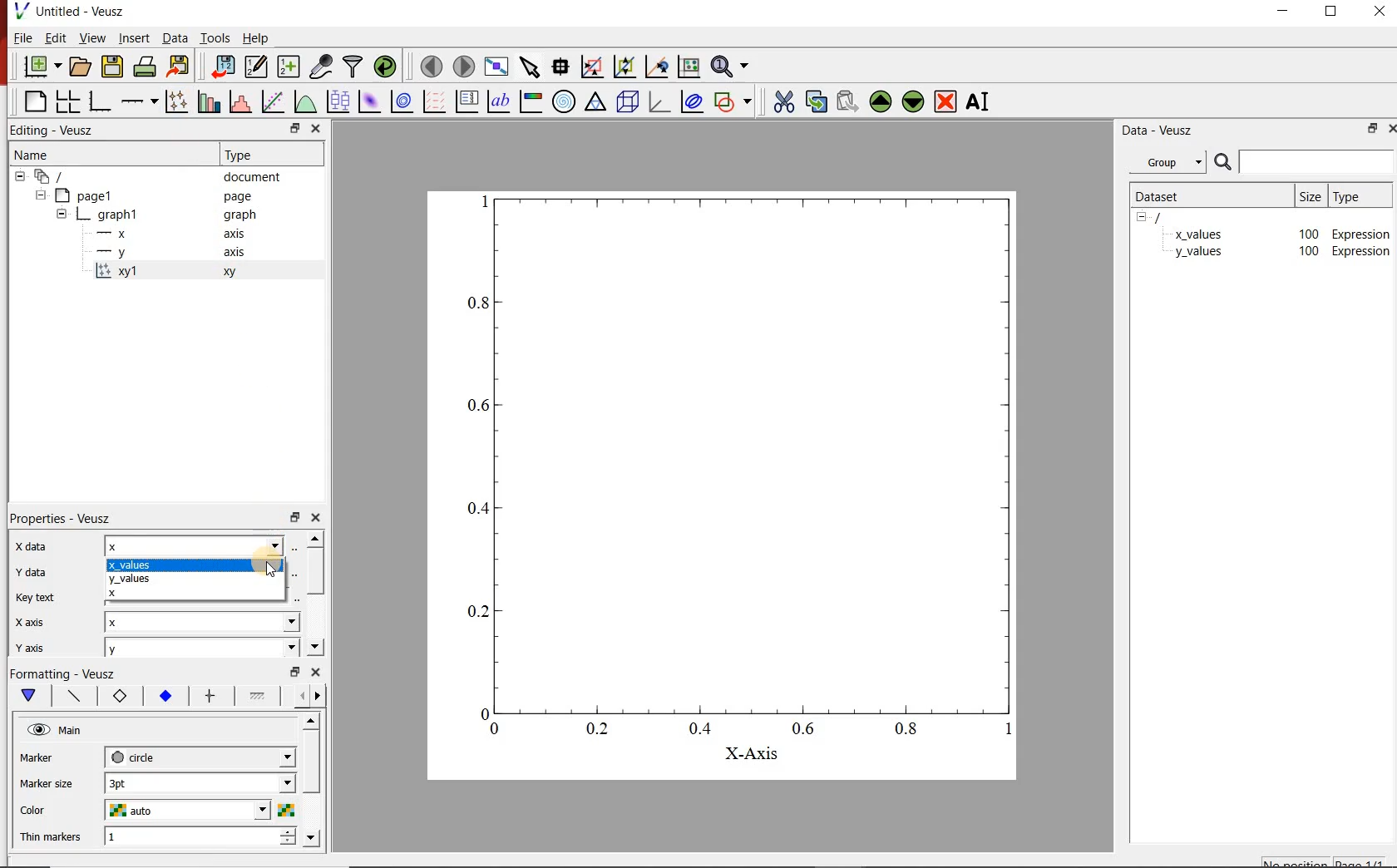  What do you see at coordinates (81, 66) in the screenshot?
I see `open document` at bounding box center [81, 66].